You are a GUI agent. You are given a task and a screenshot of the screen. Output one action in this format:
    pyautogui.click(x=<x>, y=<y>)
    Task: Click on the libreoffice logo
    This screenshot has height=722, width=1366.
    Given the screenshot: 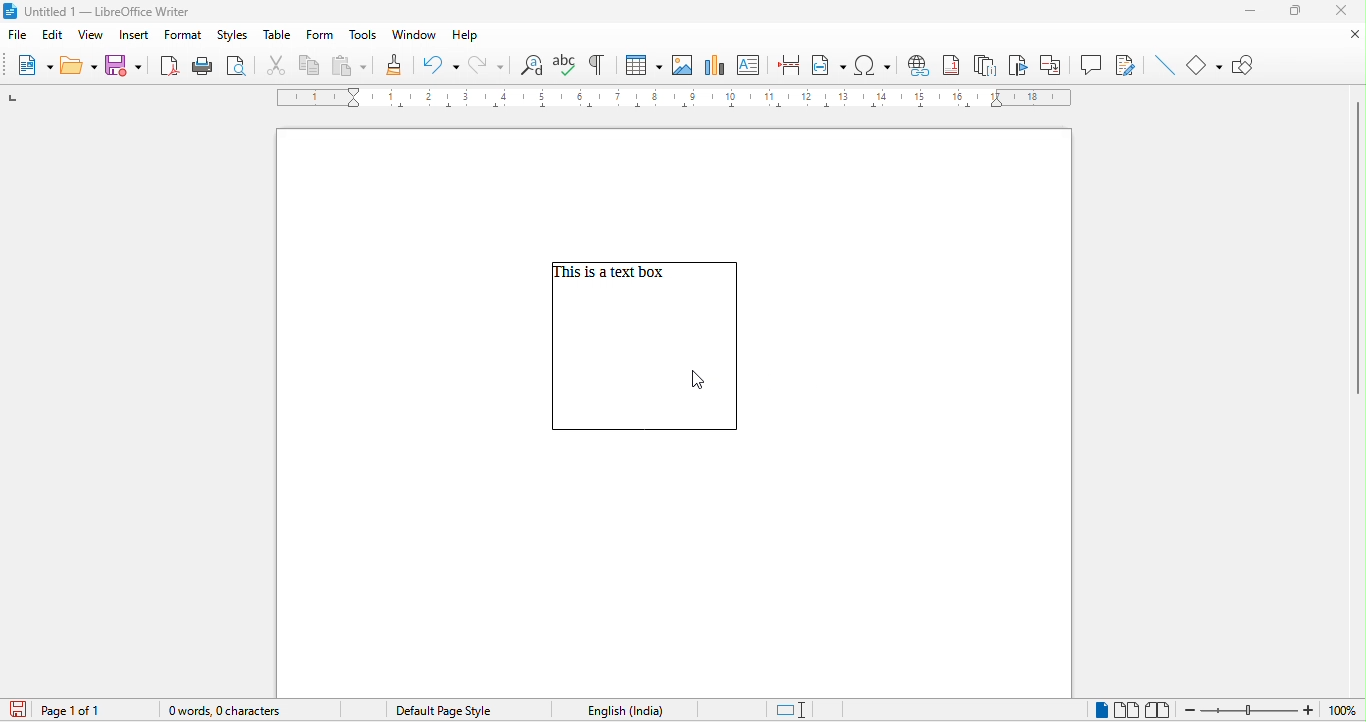 What is the action you would take?
    pyautogui.click(x=10, y=11)
    